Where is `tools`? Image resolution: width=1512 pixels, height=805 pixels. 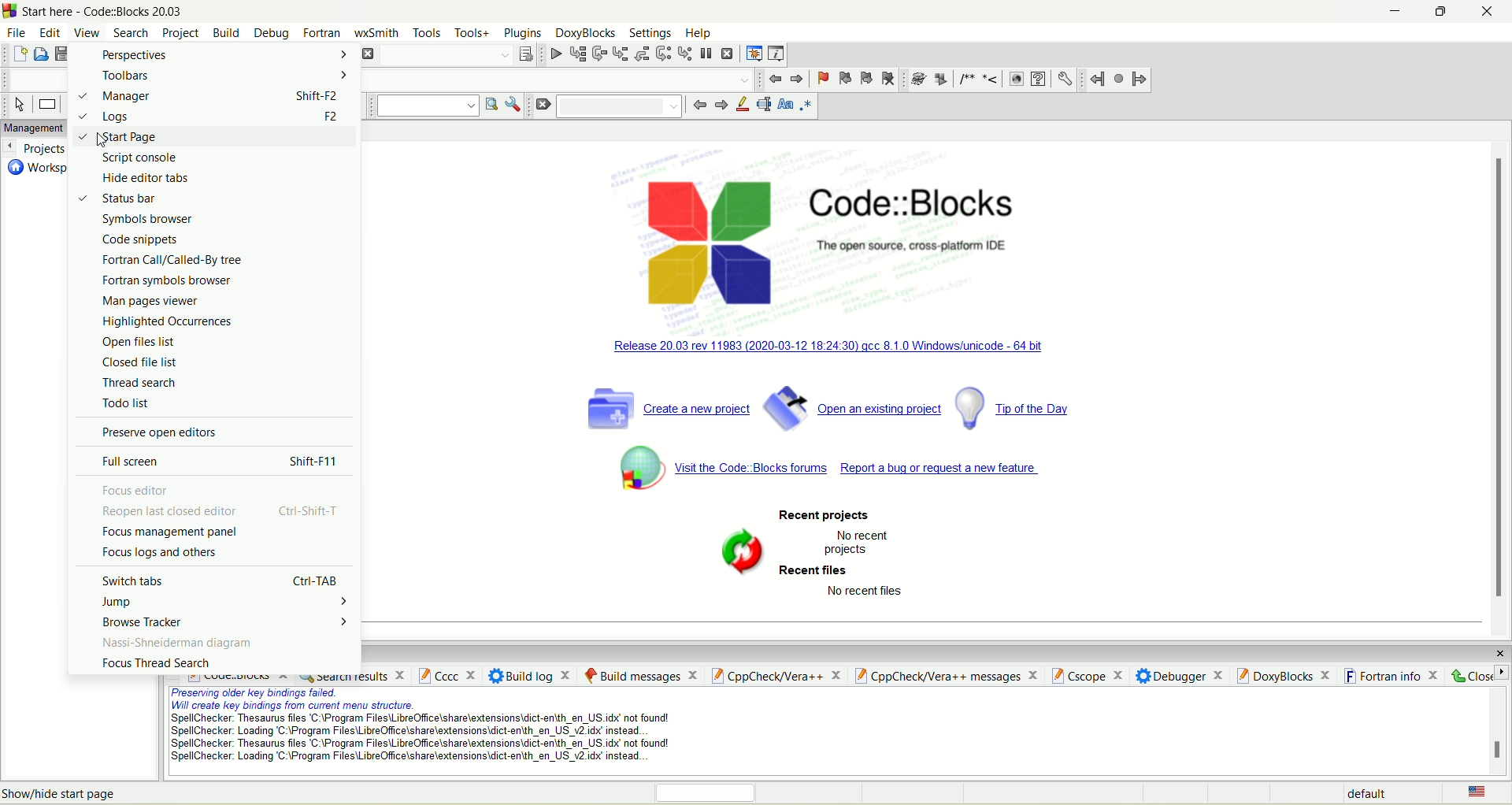
tools is located at coordinates (426, 33).